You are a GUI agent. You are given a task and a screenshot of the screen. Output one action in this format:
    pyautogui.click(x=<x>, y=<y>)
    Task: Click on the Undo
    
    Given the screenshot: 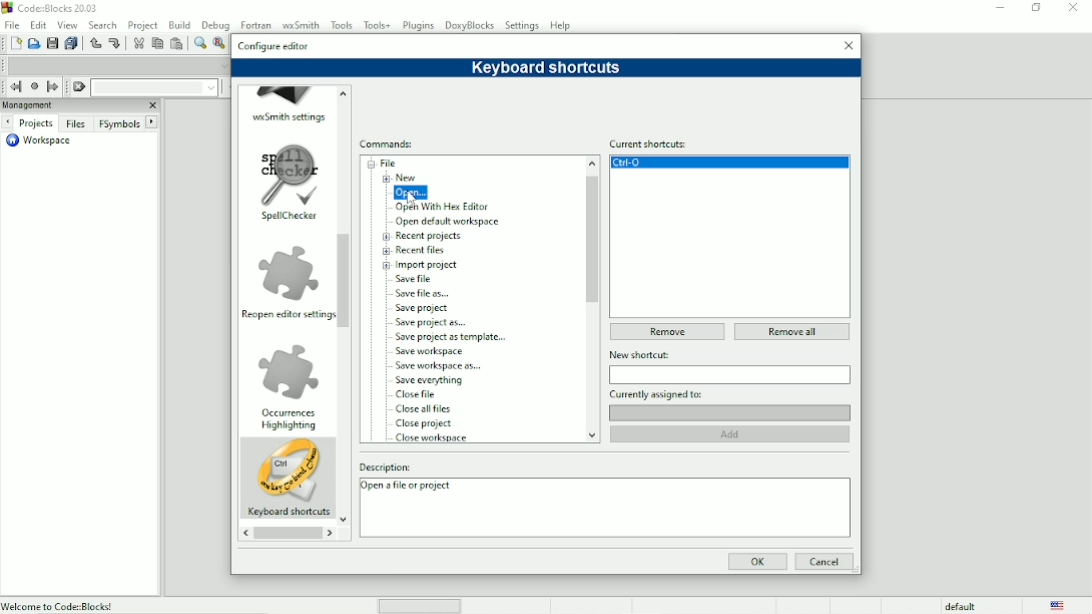 What is the action you would take?
    pyautogui.click(x=94, y=43)
    